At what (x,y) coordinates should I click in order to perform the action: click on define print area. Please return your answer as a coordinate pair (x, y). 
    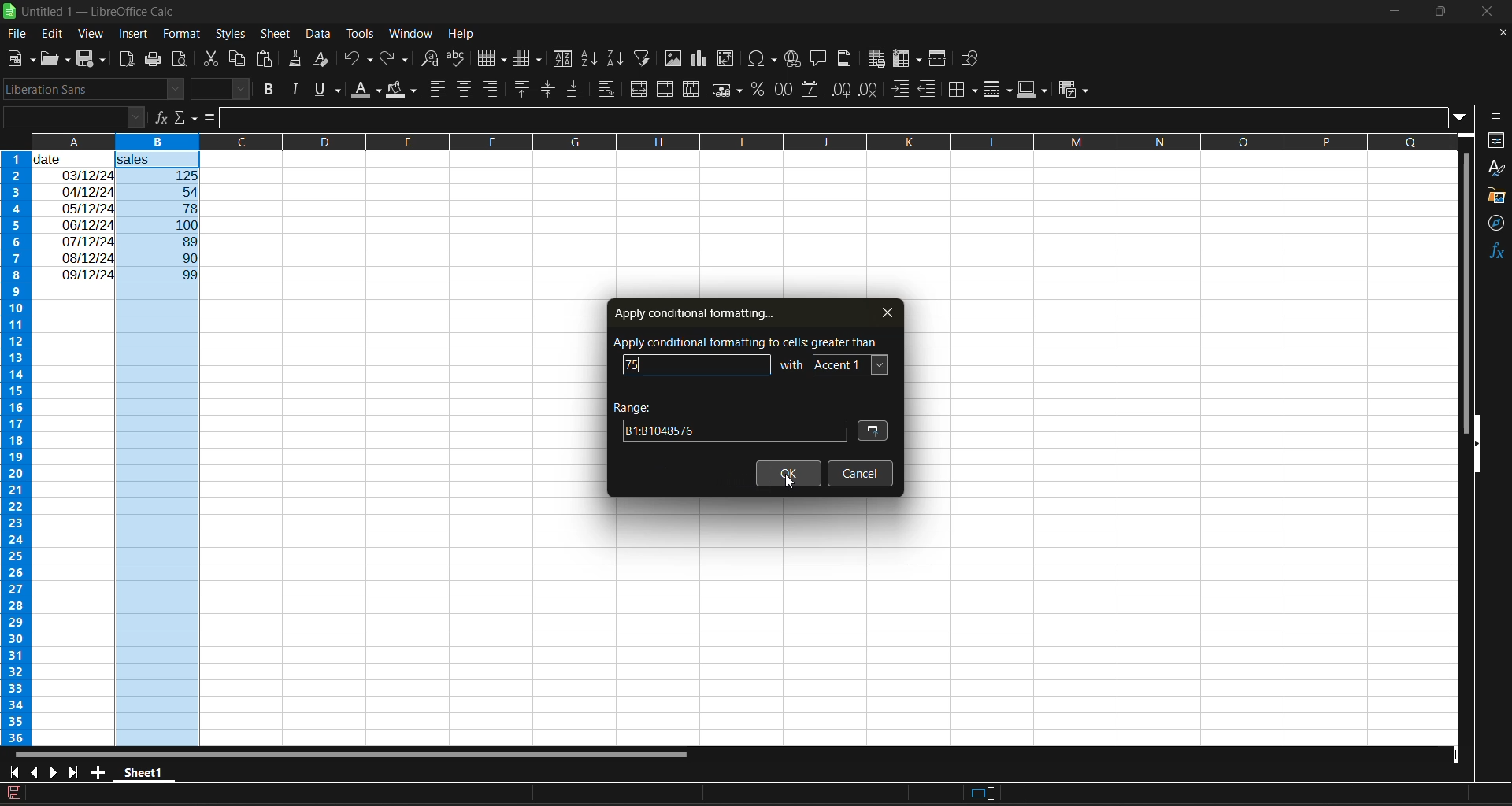
    Looking at the image, I should click on (880, 60).